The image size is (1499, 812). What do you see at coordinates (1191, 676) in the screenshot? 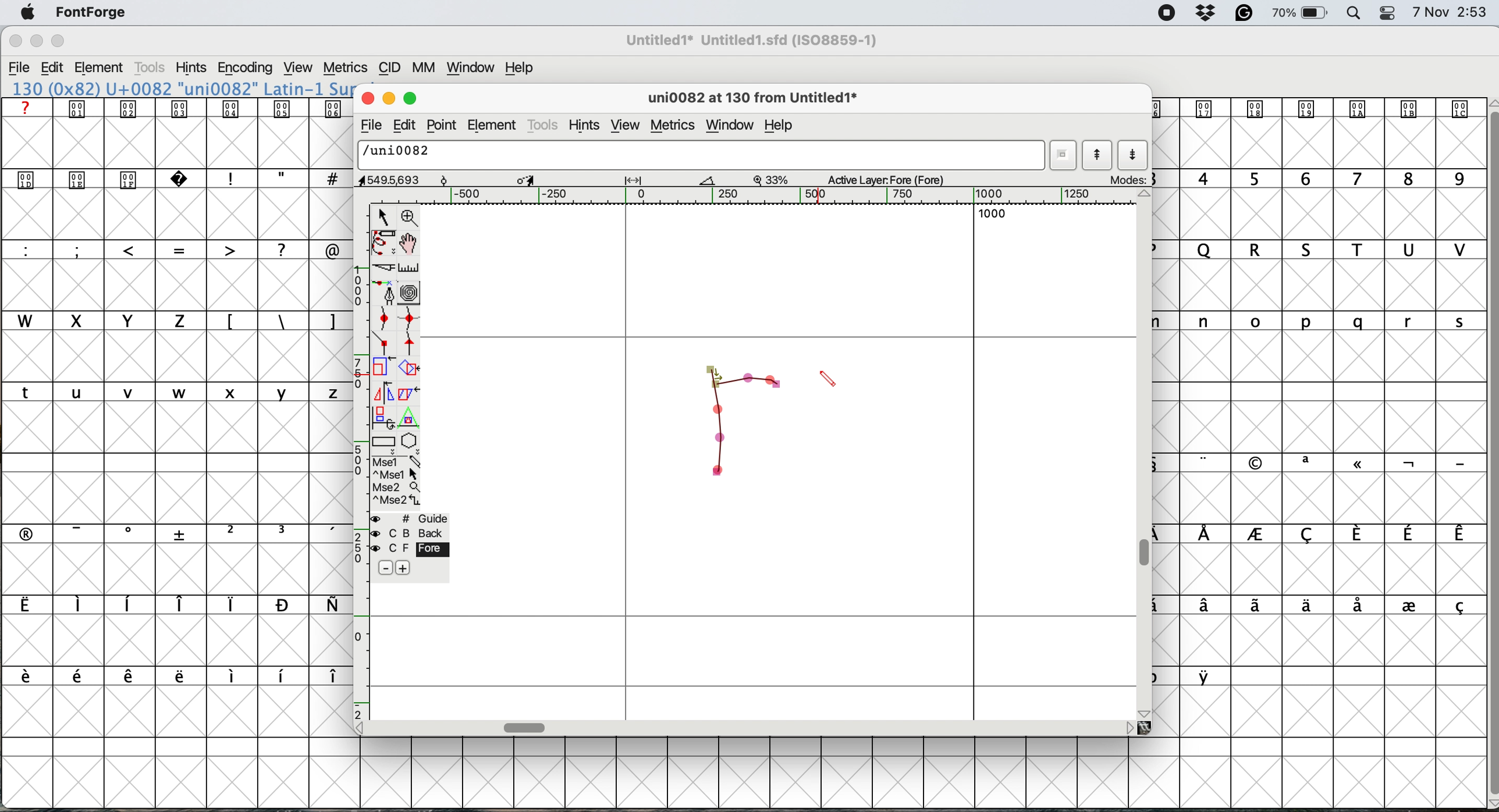
I see `special characters` at bounding box center [1191, 676].